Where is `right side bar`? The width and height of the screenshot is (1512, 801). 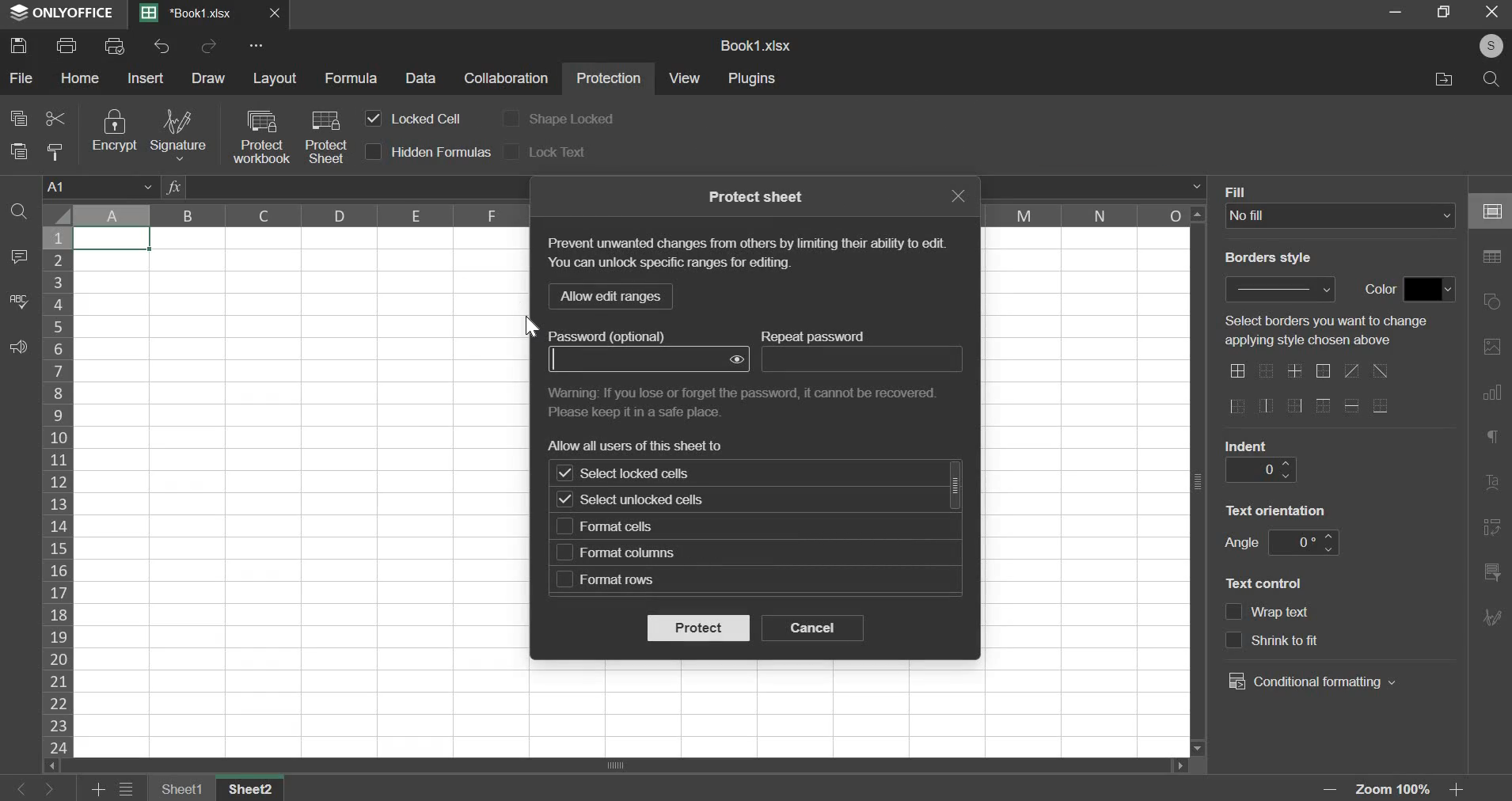 right side bar is located at coordinates (1492, 346).